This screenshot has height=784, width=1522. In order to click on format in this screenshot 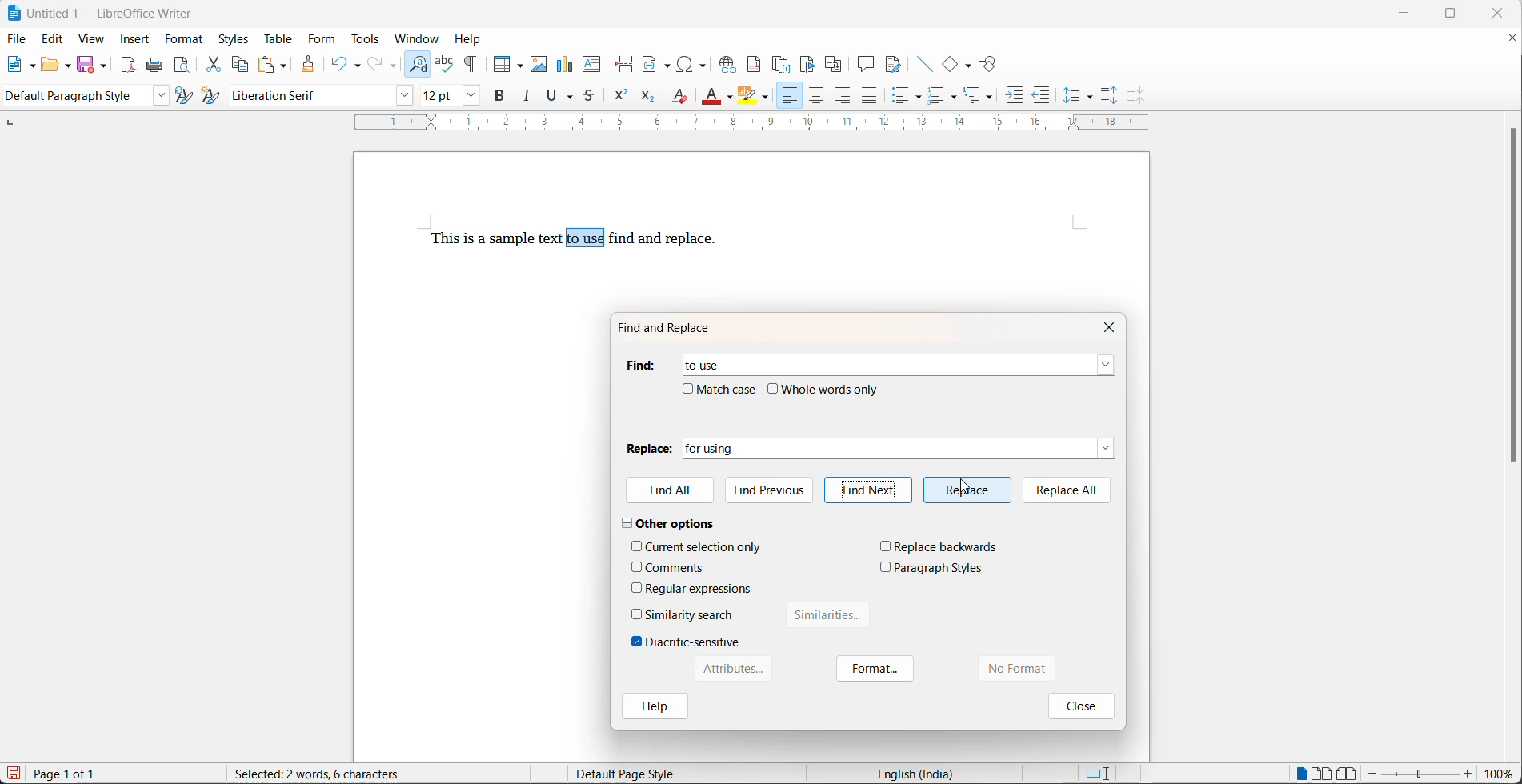, I will do `click(186, 40)`.